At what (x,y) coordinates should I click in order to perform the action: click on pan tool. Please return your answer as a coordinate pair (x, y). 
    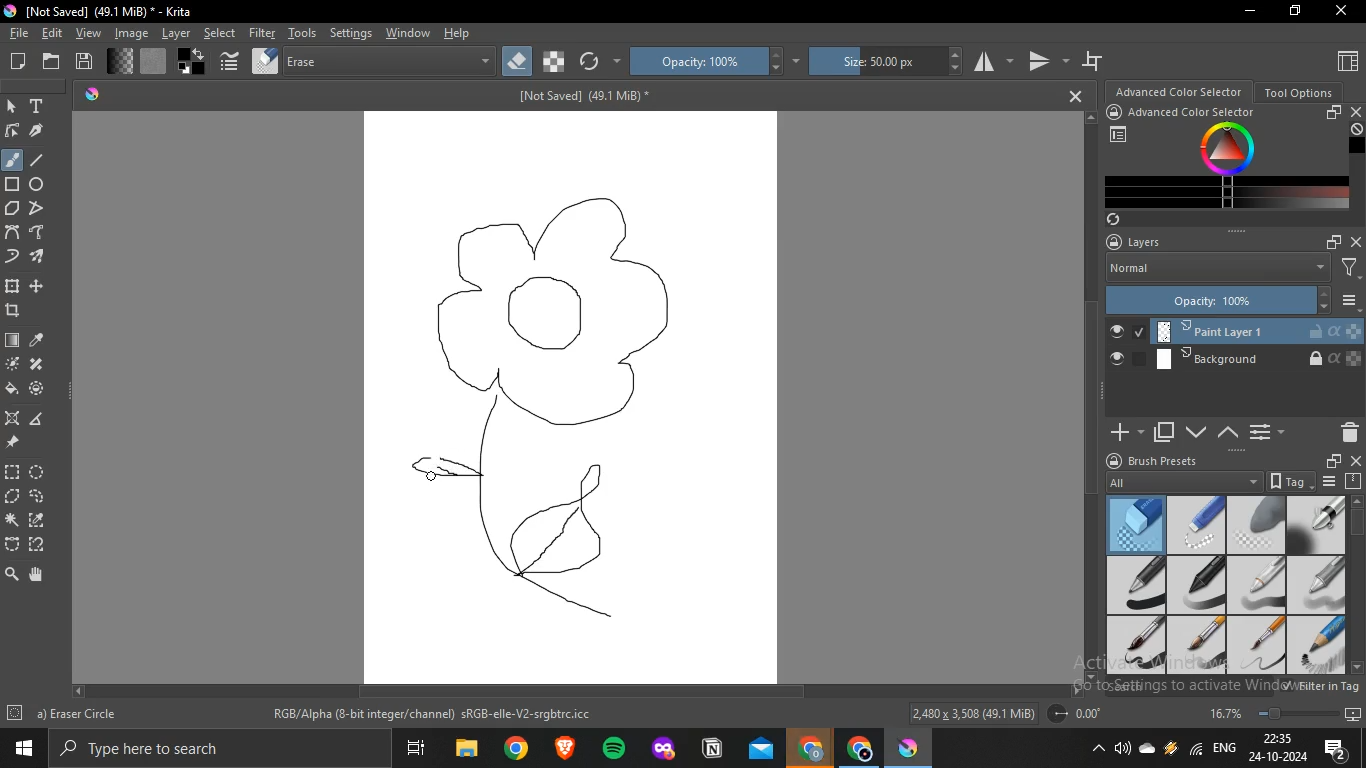
    Looking at the image, I should click on (37, 573).